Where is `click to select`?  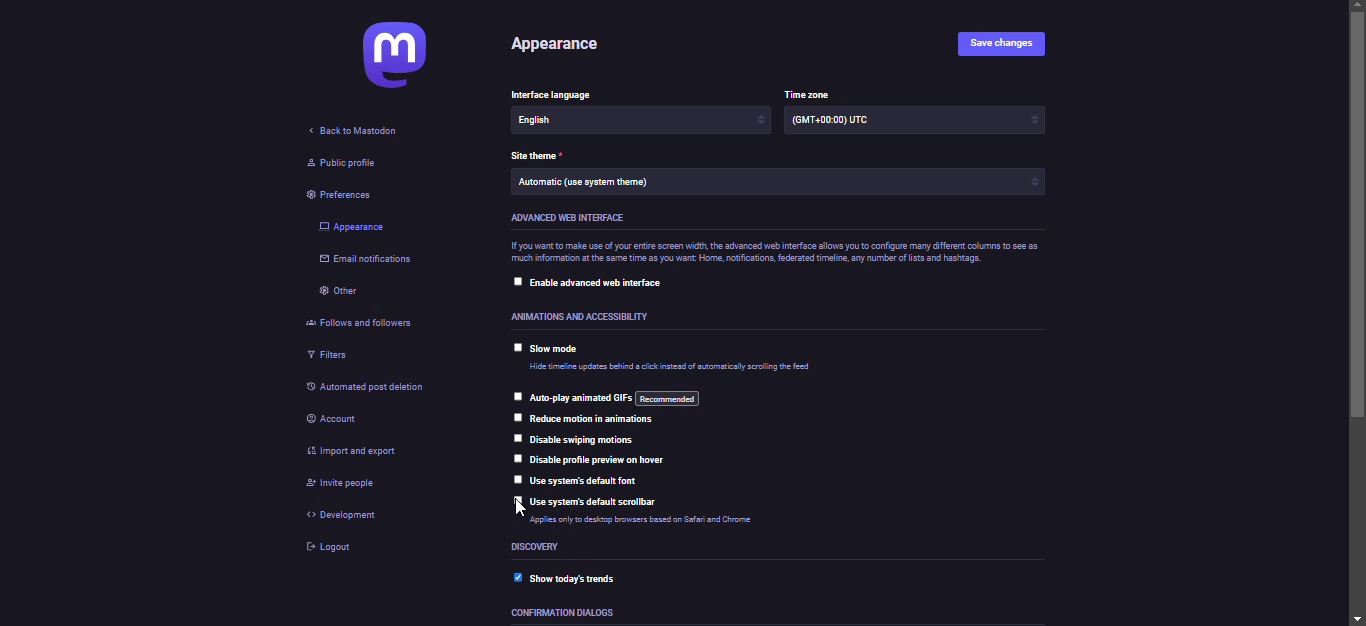 click to select is located at coordinates (515, 438).